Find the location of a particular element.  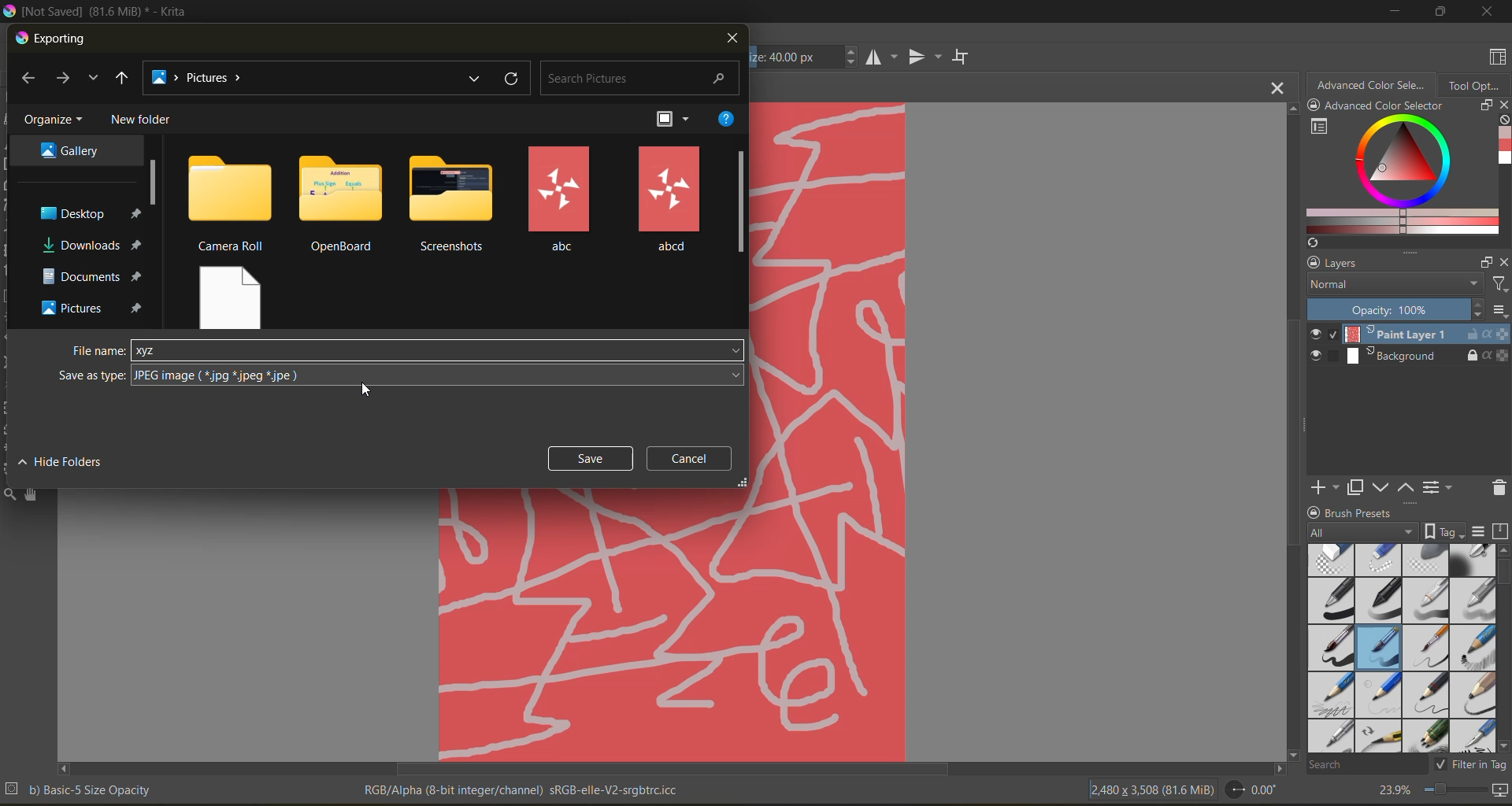

save is located at coordinates (591, 458).